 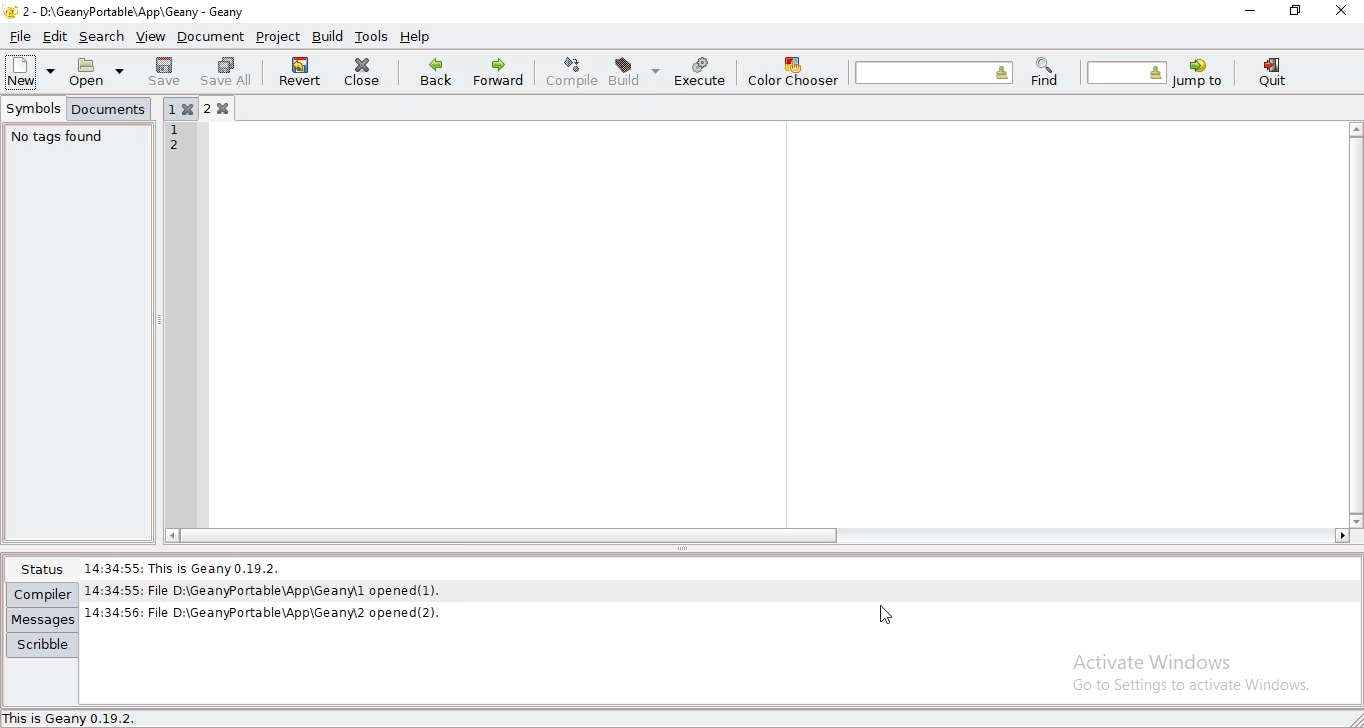 I want to click on execute, so click(x=701, y=72).